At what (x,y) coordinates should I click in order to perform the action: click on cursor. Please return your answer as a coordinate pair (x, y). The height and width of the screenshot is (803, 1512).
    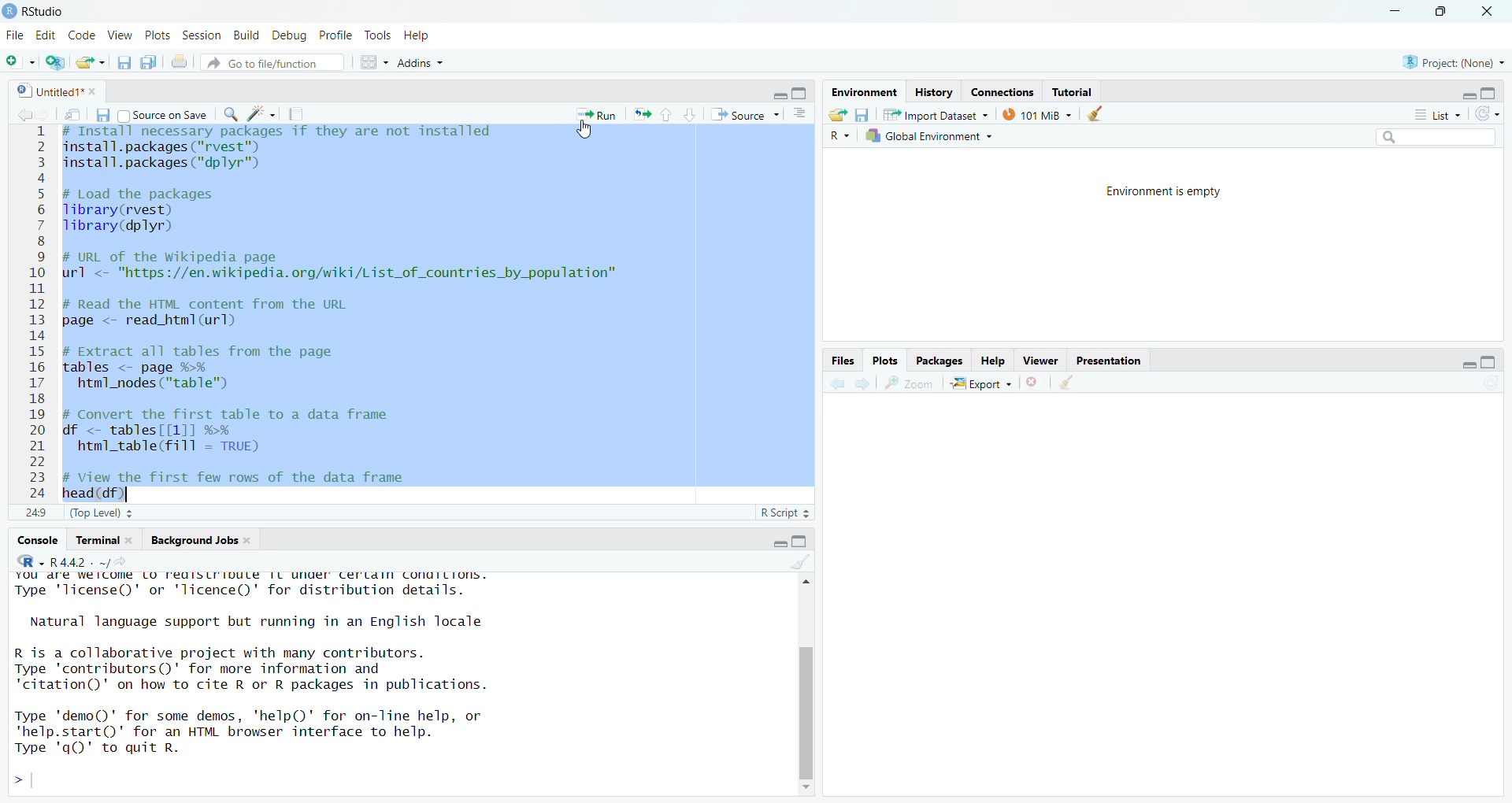
    Looking at the image, I should click on (584, 130).